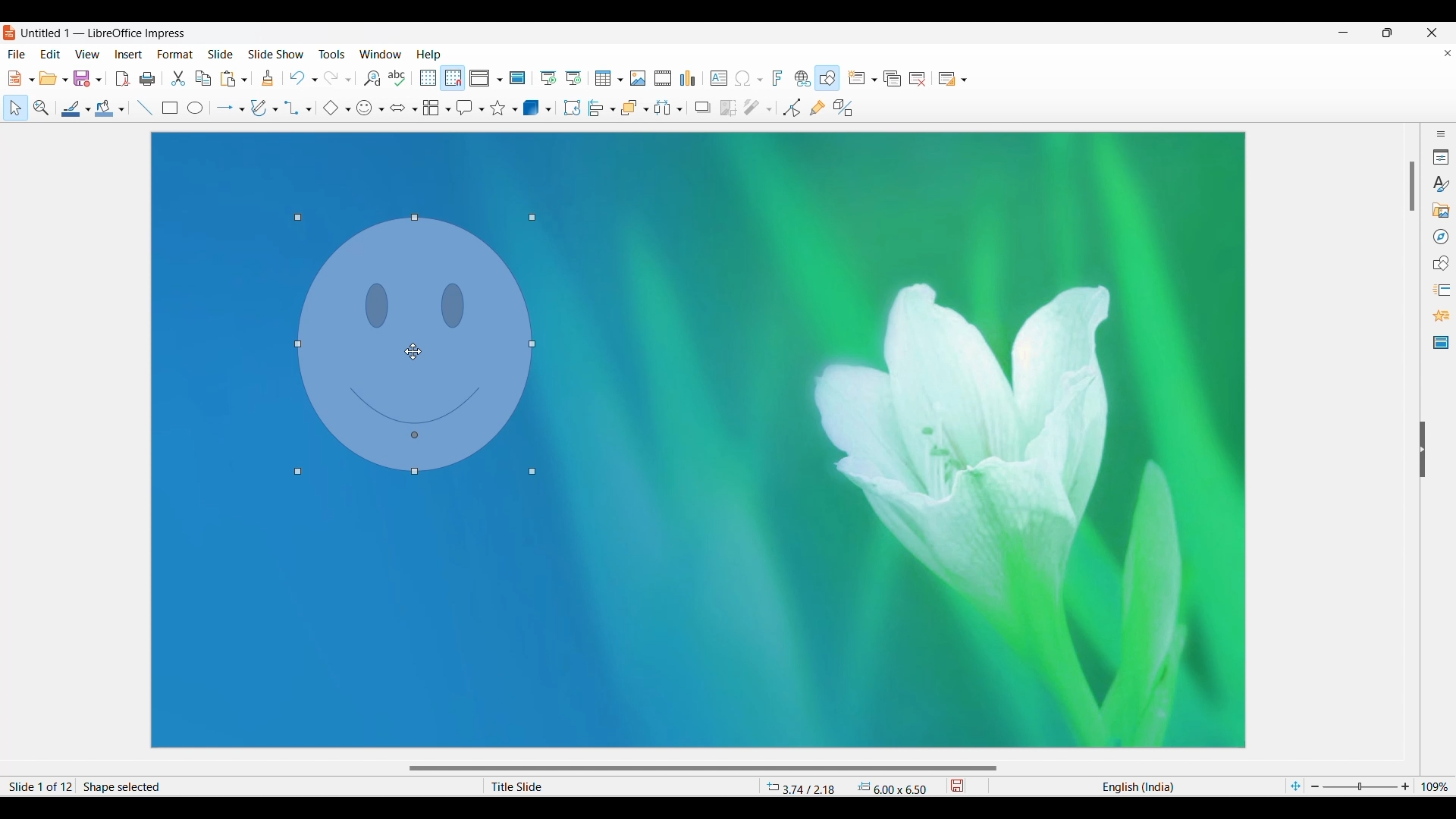 Image resolution: width=1456 pixels, height=819 pixels. What do you see at coordinates (874, 80) in the screenshot?
I see `New slide options` at bounding box center [874, 80].